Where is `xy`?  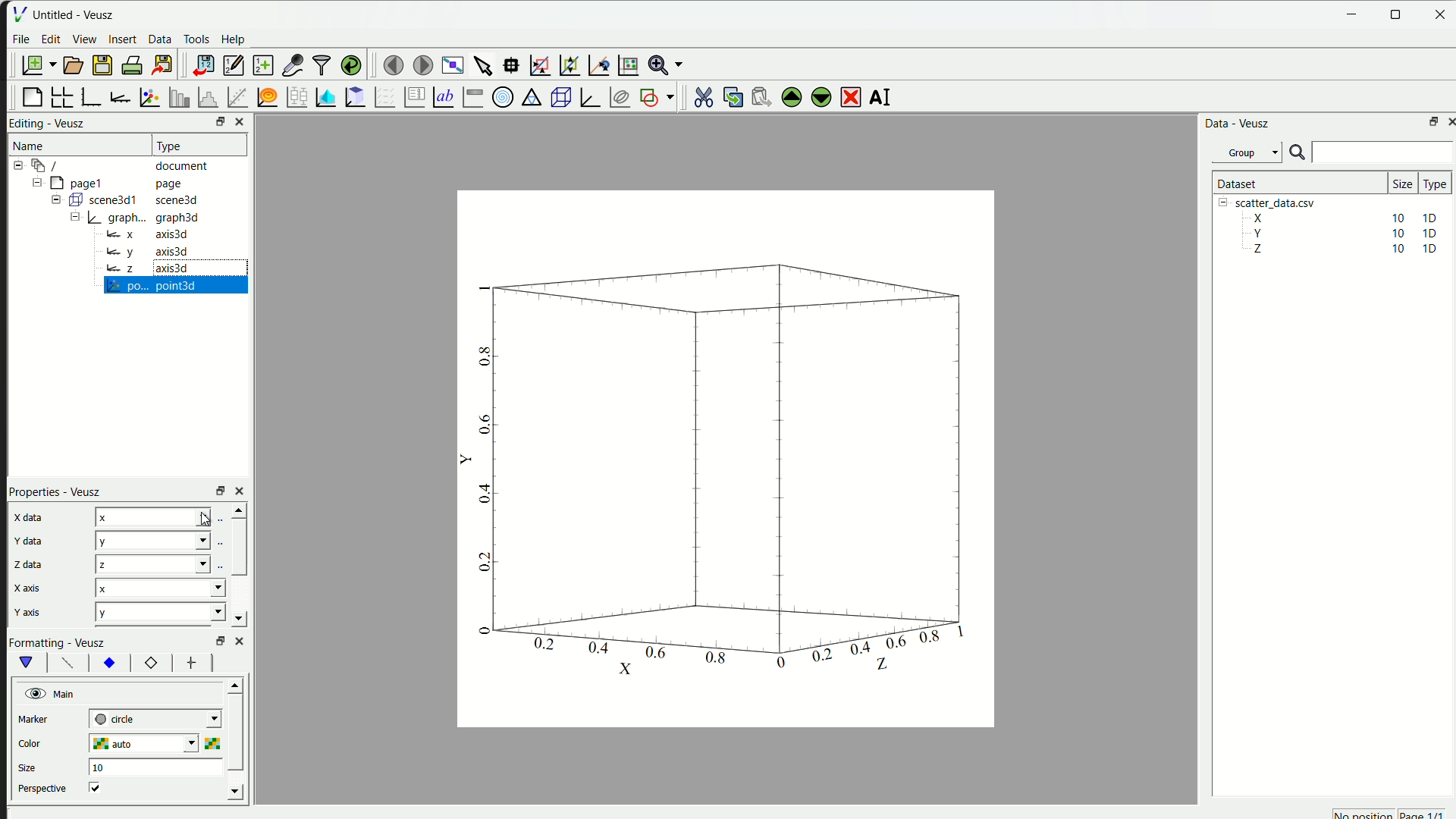 xy is located at coordinates (110, 664).